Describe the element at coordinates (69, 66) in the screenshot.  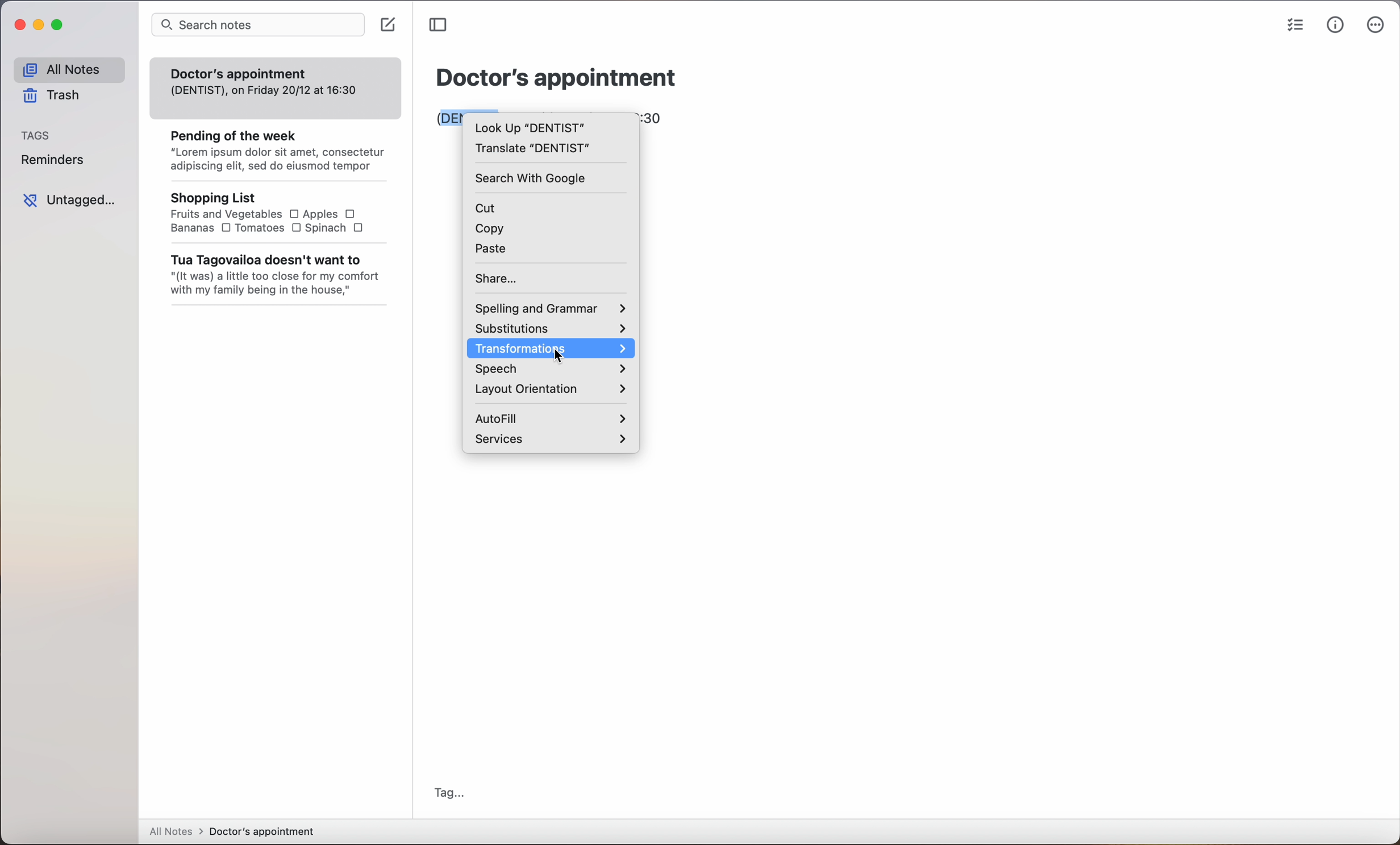
I see `all notes` at that location.